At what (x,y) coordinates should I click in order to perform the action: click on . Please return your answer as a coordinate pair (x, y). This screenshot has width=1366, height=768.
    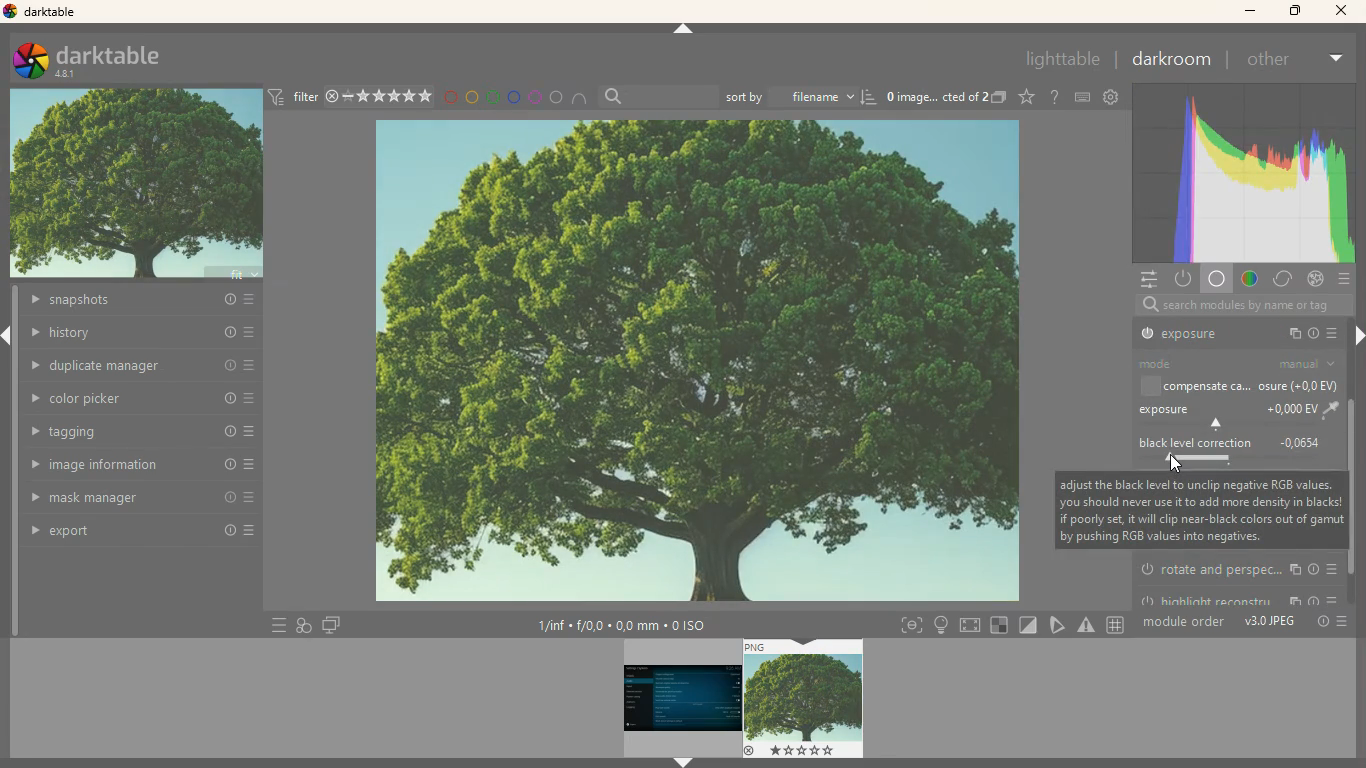
    Looking at the image, I should click on (1119, 625).